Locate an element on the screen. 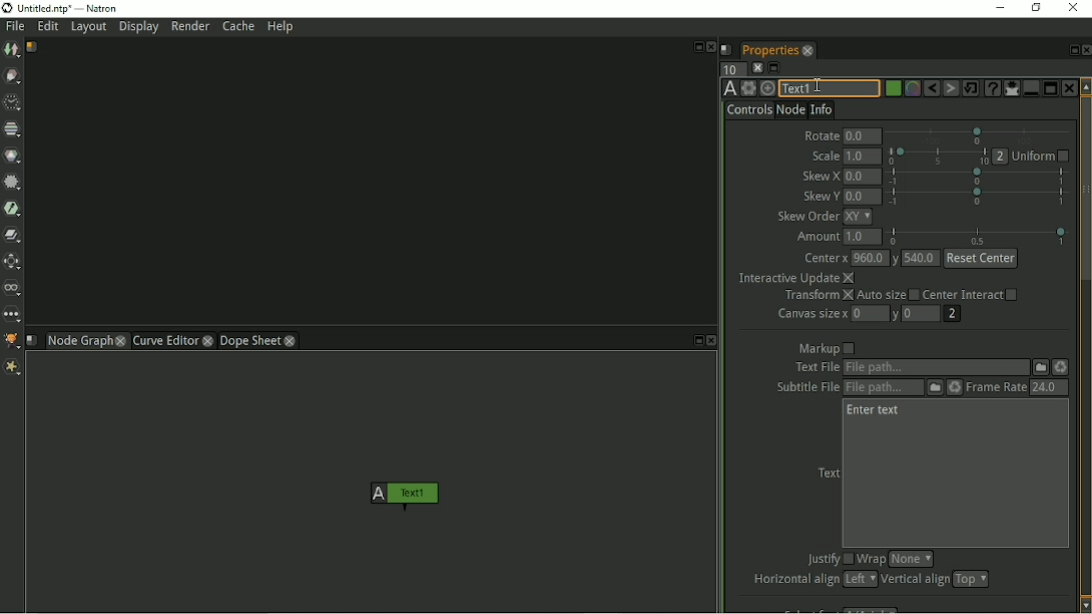 The image size is (1092, 614). Enter text is located at coordinates (874, 411).